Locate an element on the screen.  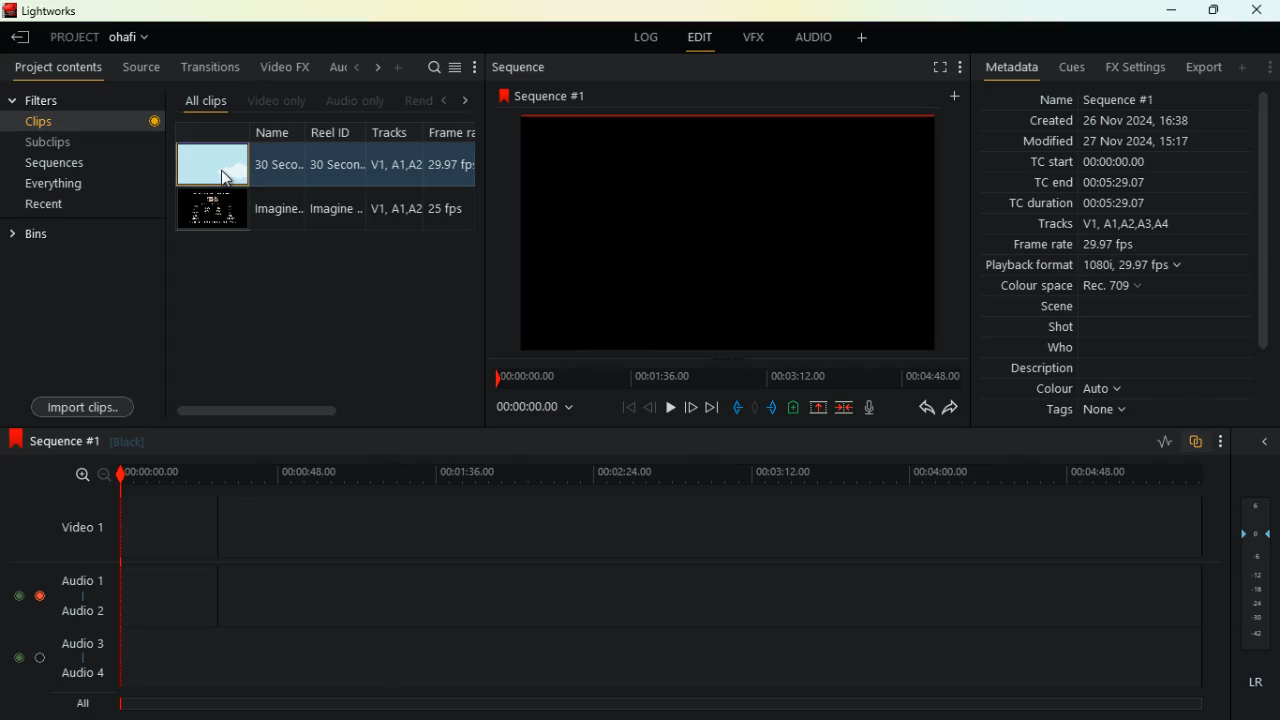
name is located at coordinates (1092, 99).